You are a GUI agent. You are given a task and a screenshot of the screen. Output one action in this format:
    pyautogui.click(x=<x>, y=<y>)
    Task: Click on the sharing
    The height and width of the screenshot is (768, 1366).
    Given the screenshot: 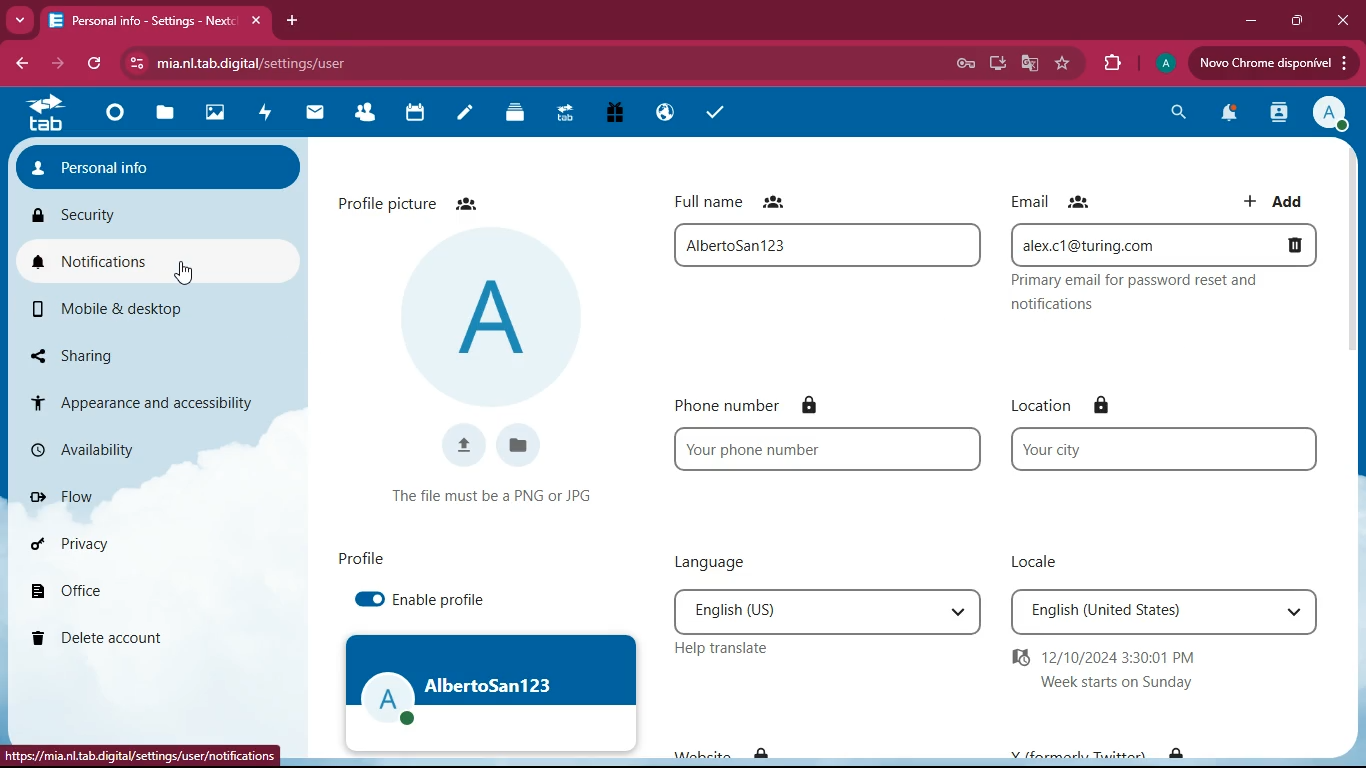 What is the action you would take?
    pyautogui.click(x=116, y=351)
    